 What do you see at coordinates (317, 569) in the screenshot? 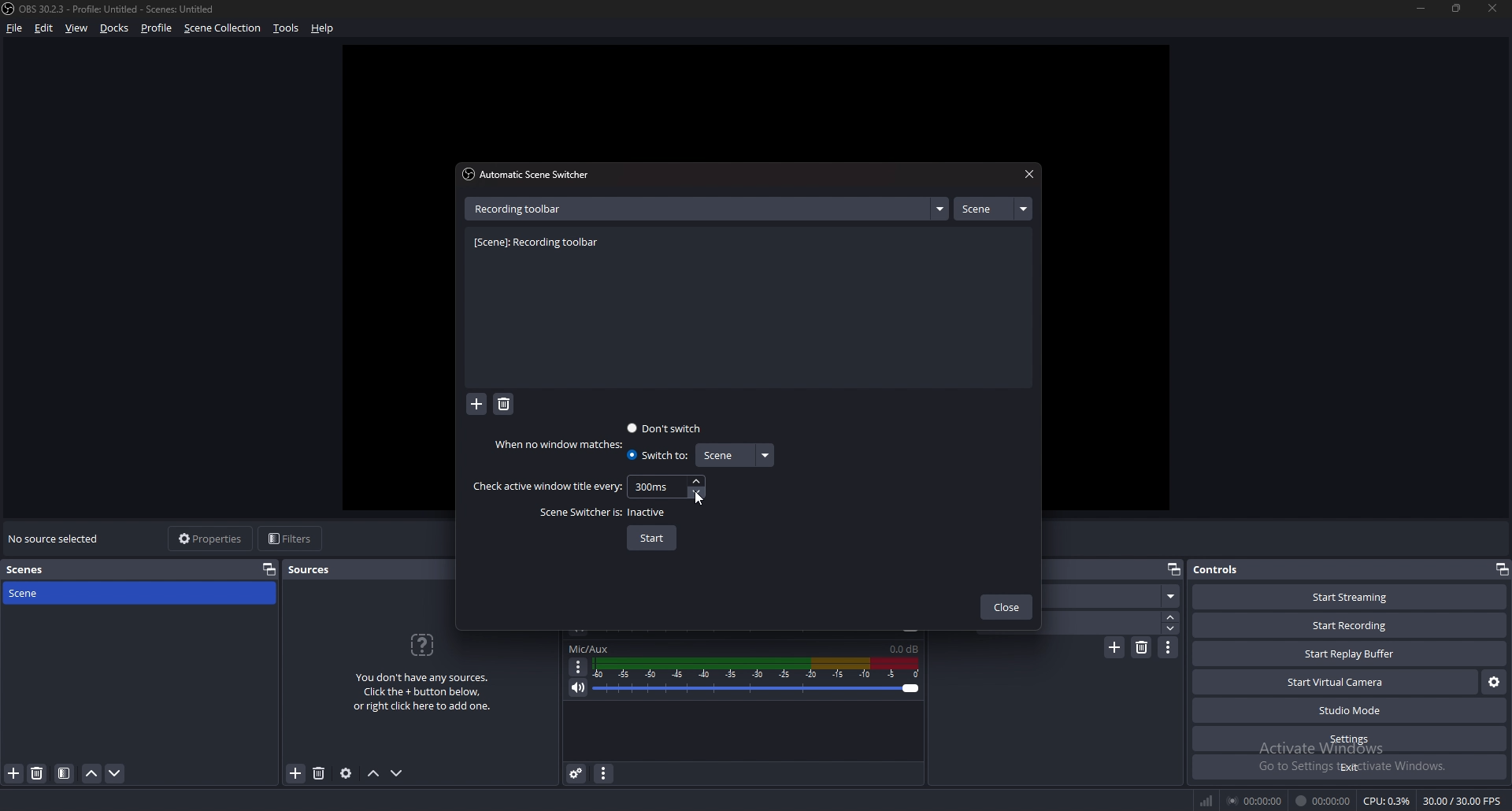
I see `sources` at bounding box center [317, 569].